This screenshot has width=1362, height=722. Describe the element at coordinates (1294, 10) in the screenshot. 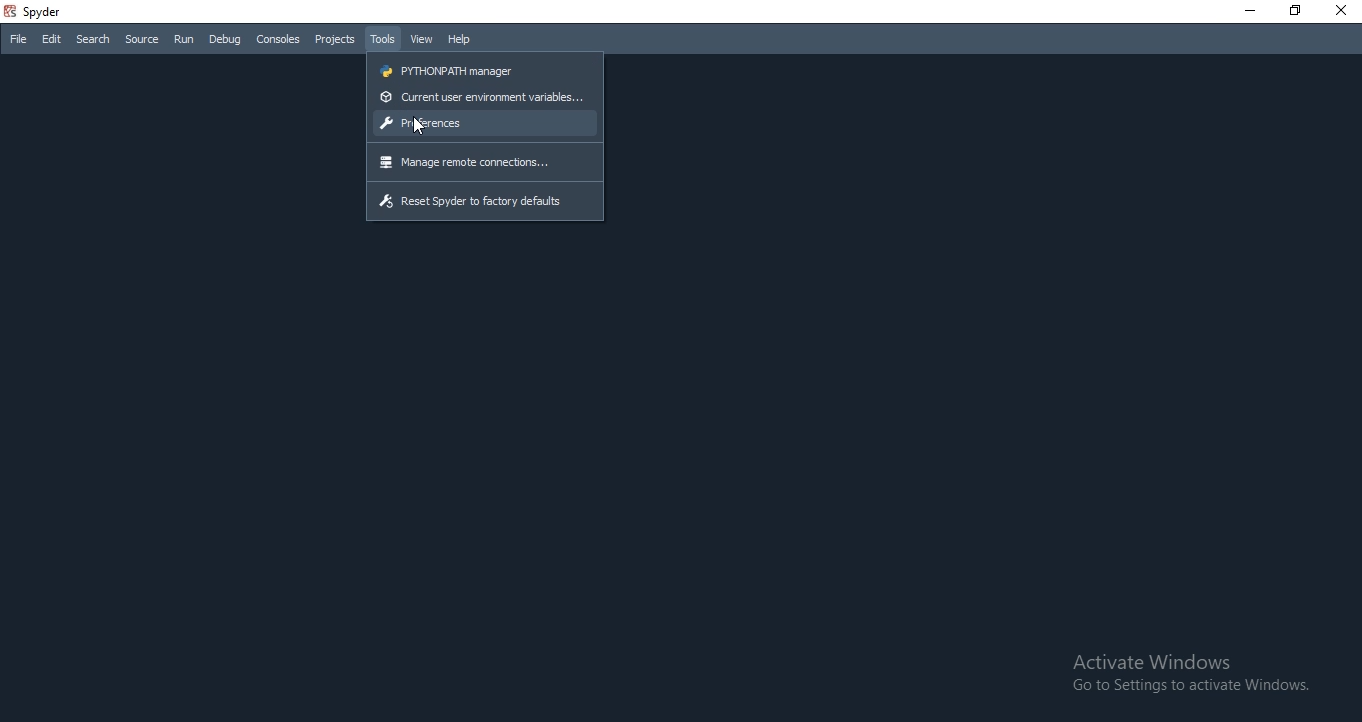

I see `Restore` at that location.